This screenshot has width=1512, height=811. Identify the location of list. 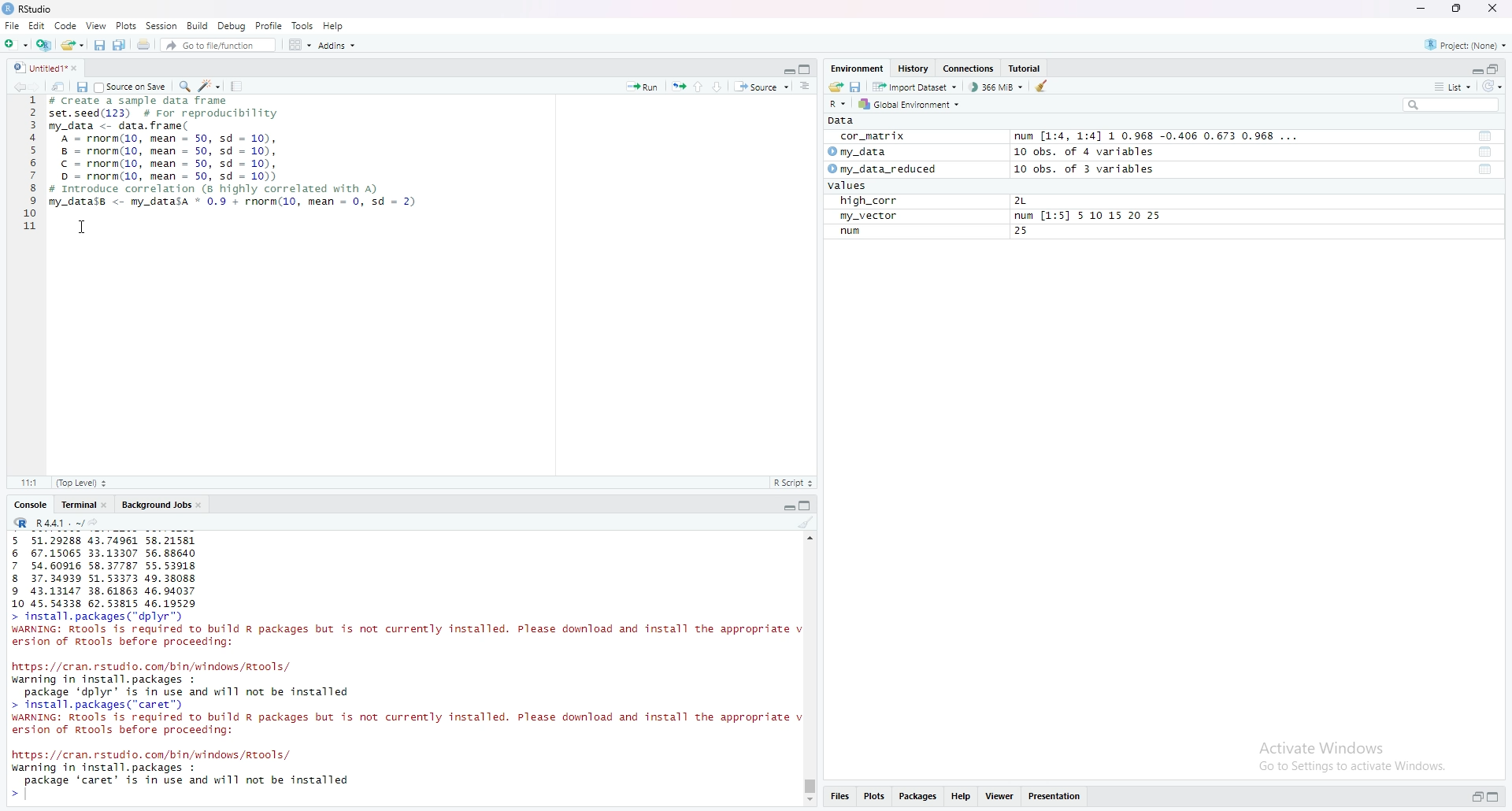
(1453, 87).